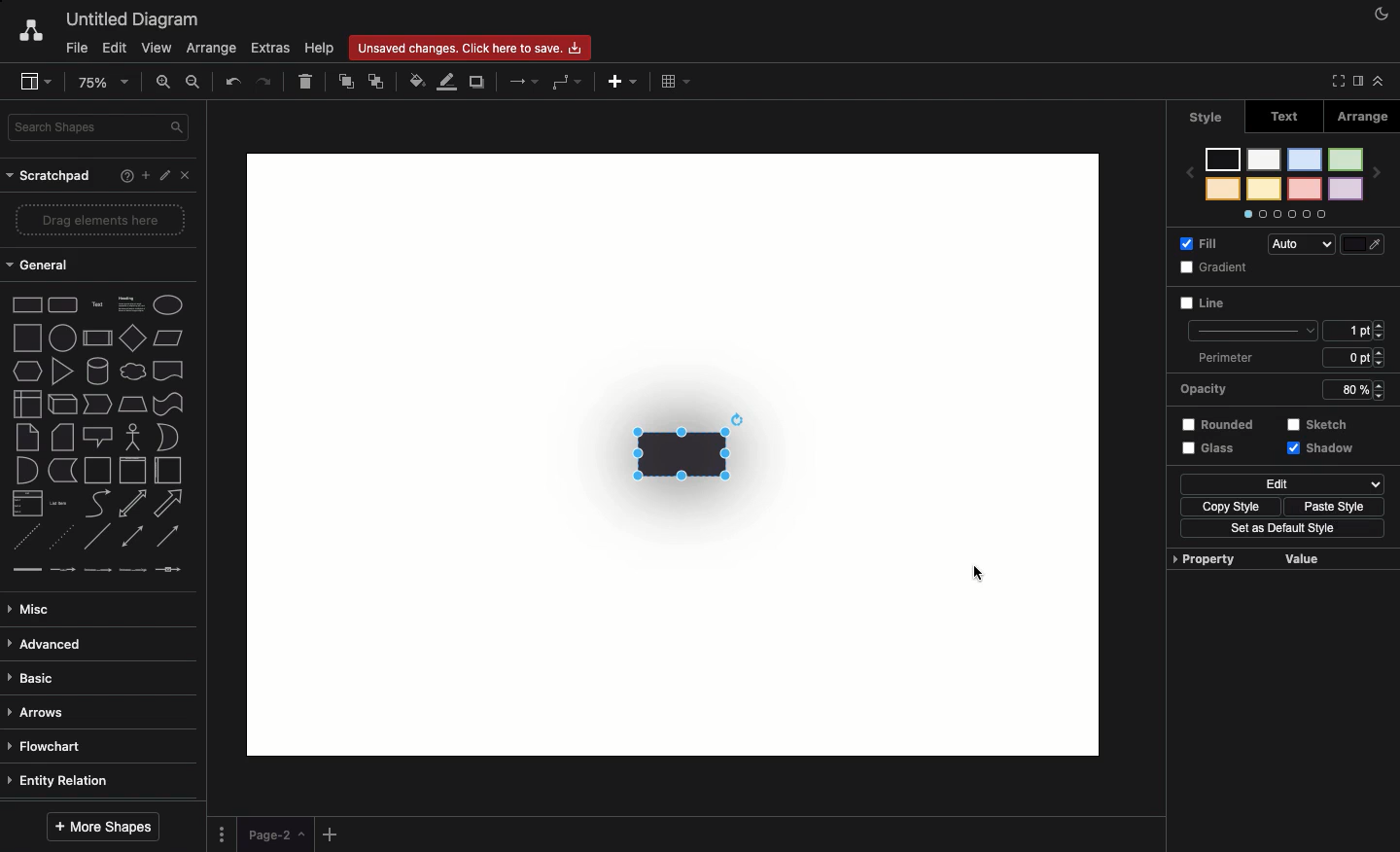  I want to click on Help, so click(322, 49).